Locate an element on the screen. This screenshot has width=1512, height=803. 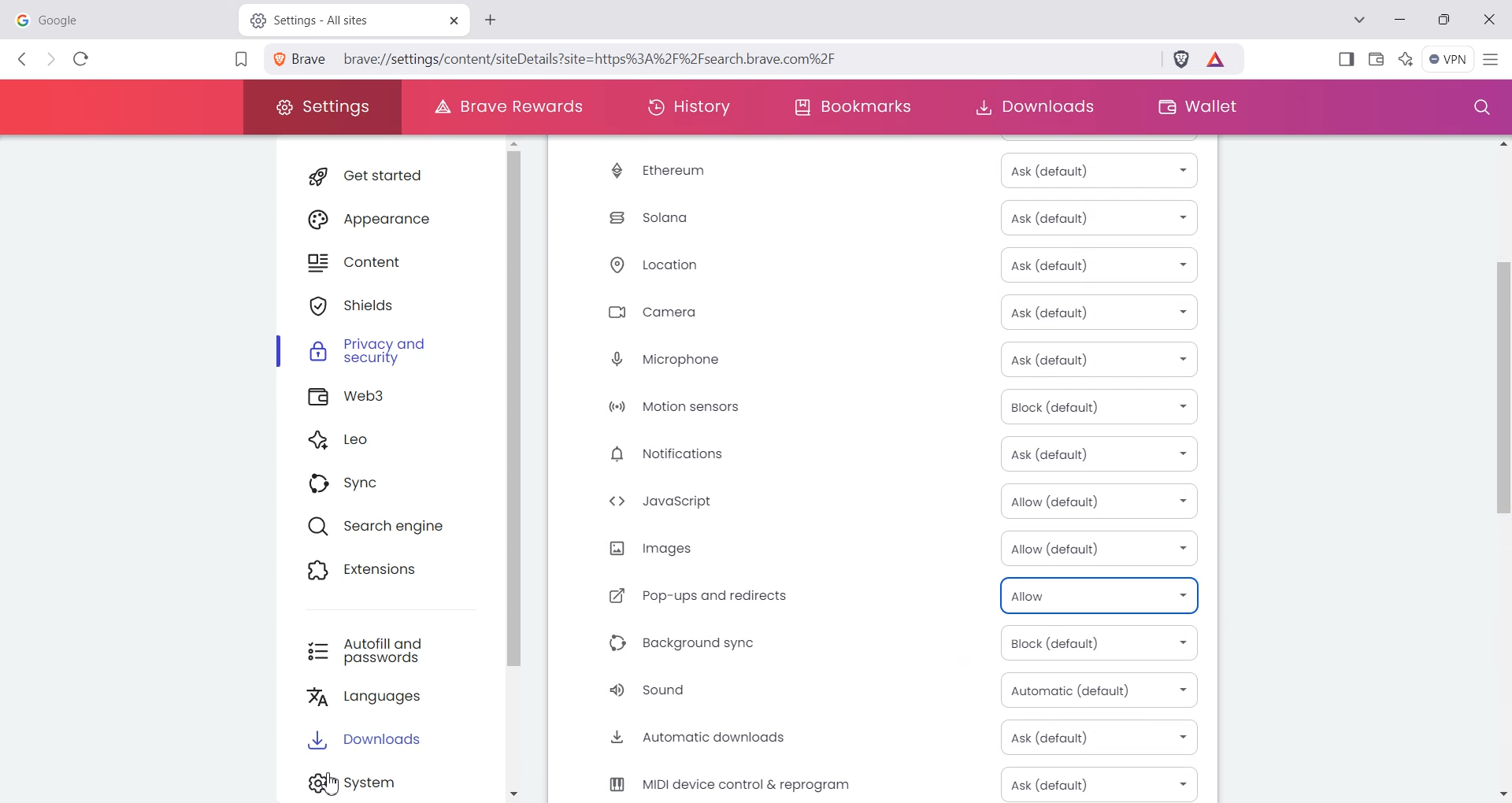
Shields is located at coordinates (390, 305).